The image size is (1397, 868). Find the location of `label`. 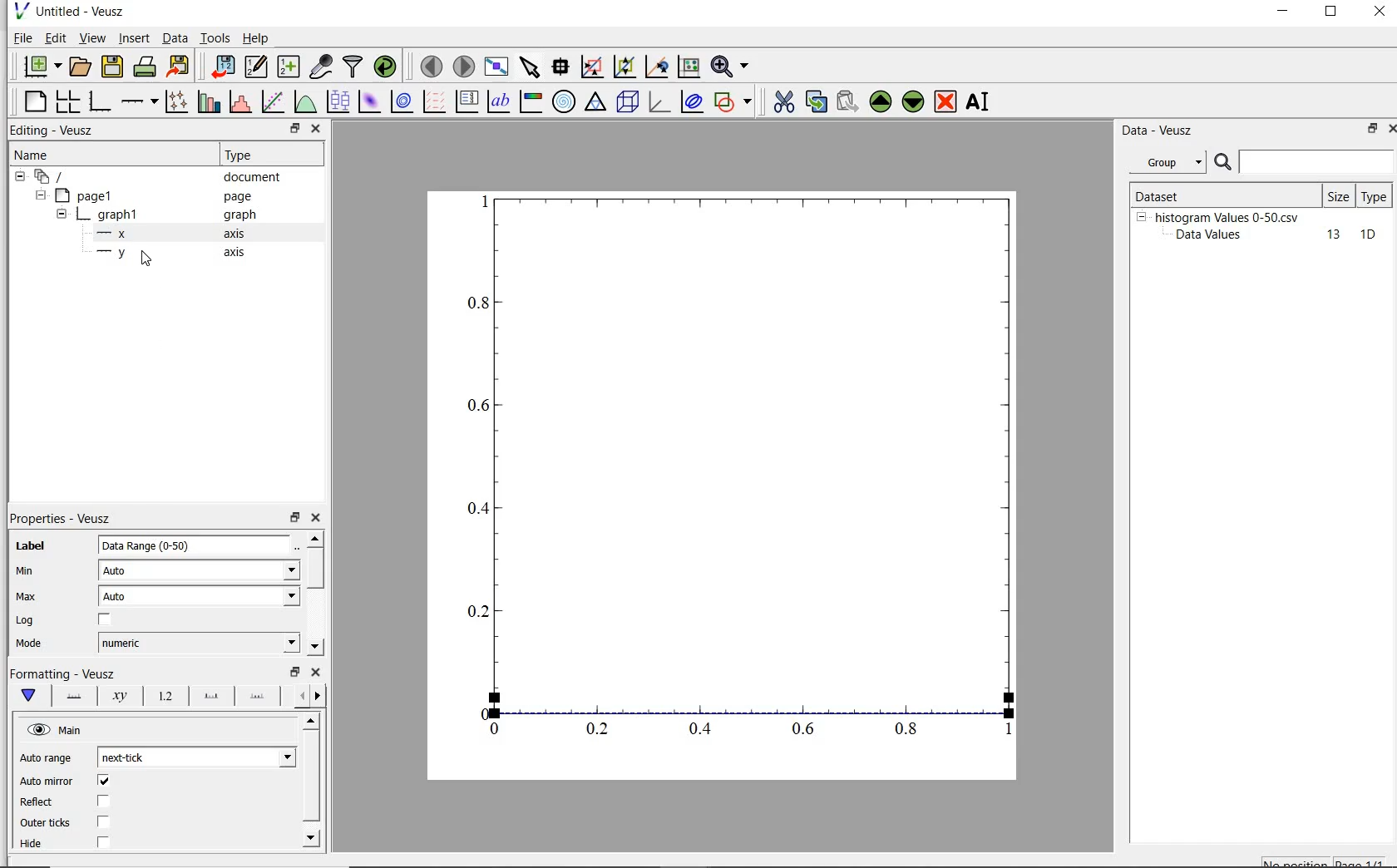

label is located at coordinates (31, 546).